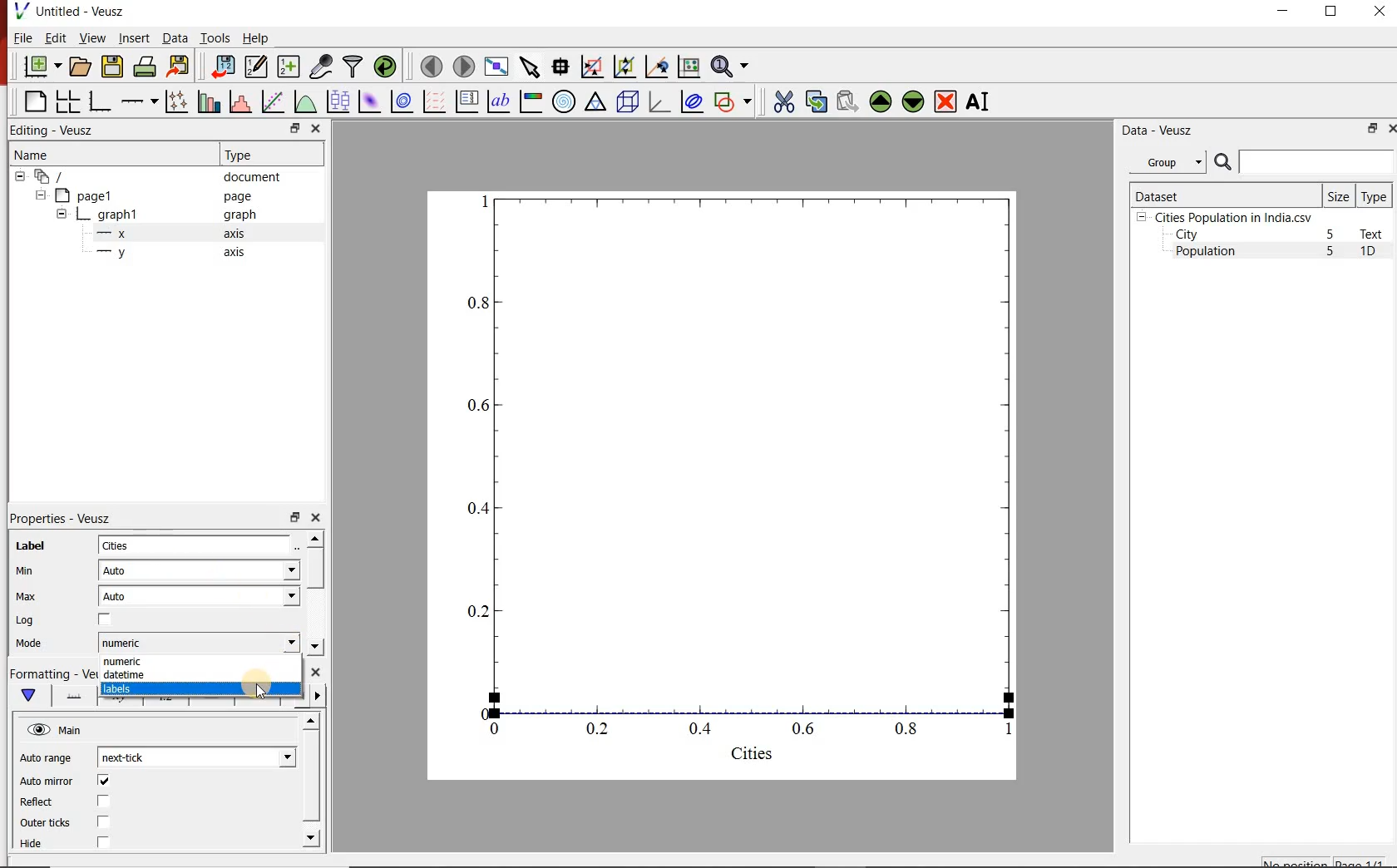 The width and height of the screenshot is (1397, 868). I want to click on move to the next page, so click(462, 66).